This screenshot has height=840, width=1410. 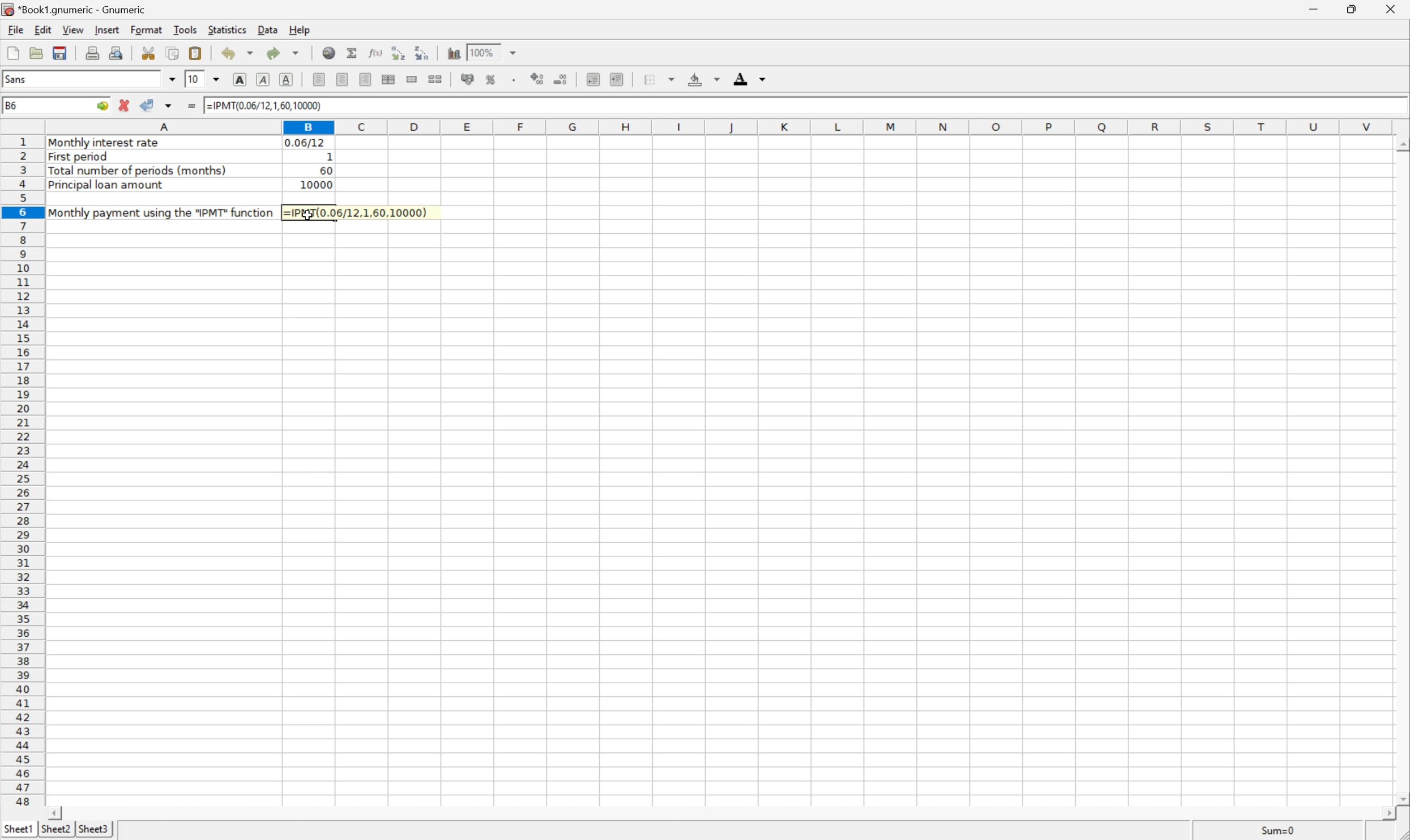 What do you see at coordinates (481, 52) in the screenshot?
I see `100%` at bounding box center [481, 52].